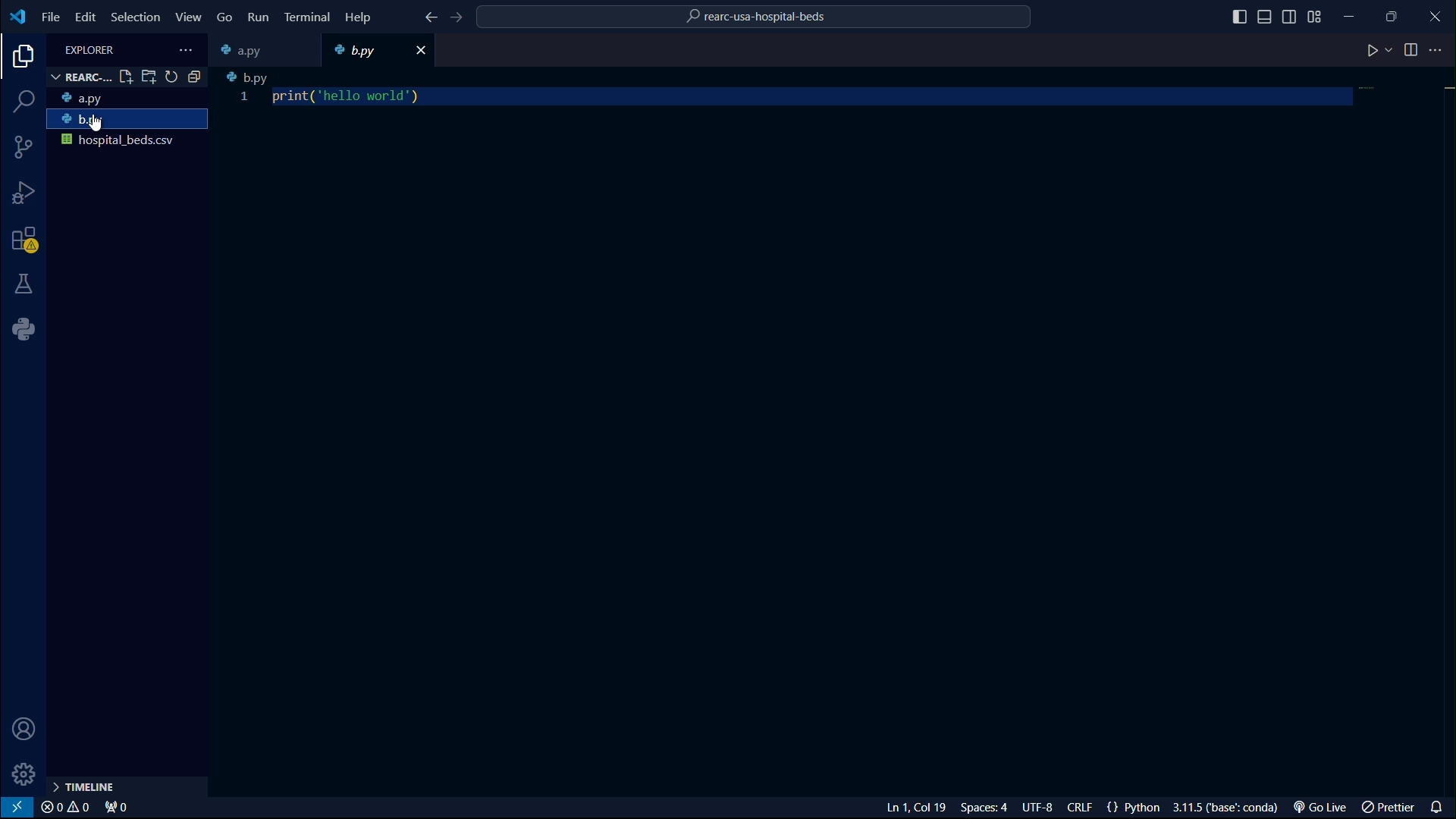 The width and height of the screenshot is (1456, 819). What do you see at coordinates (26, 286) in the screenshot?
I see `testing` at bounding box center [26, 286].